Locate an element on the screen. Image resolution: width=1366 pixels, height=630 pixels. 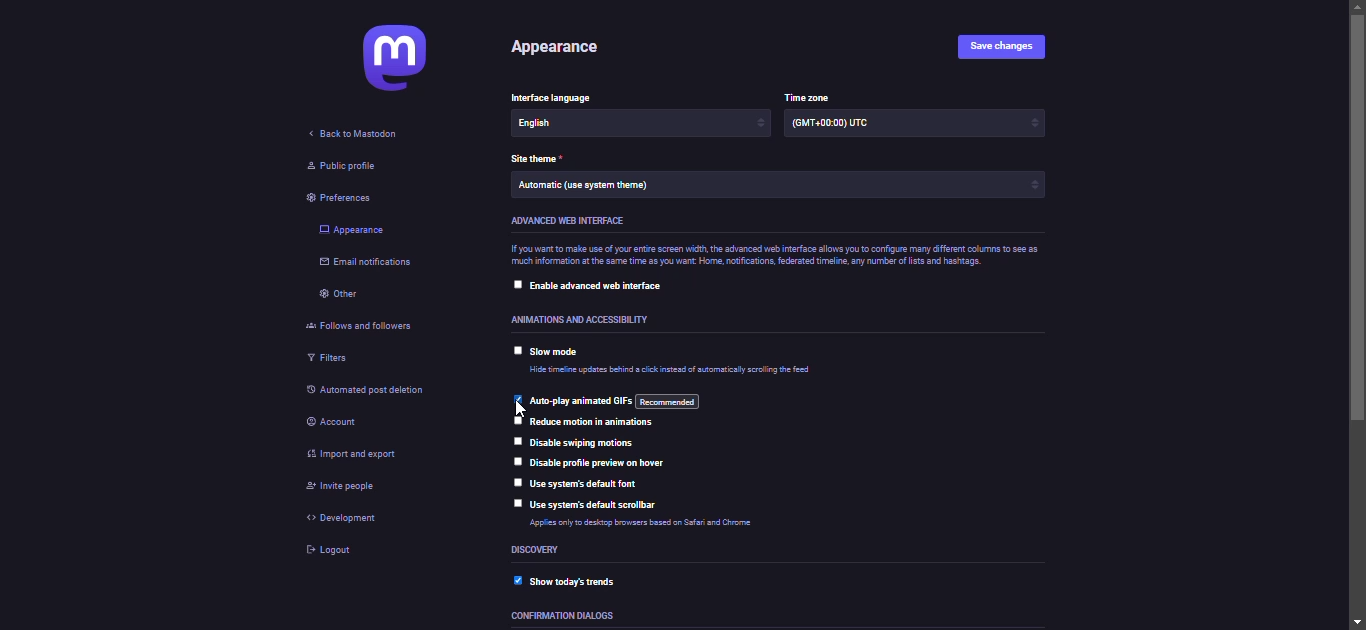
click to select is located at coordinates (513, 503).